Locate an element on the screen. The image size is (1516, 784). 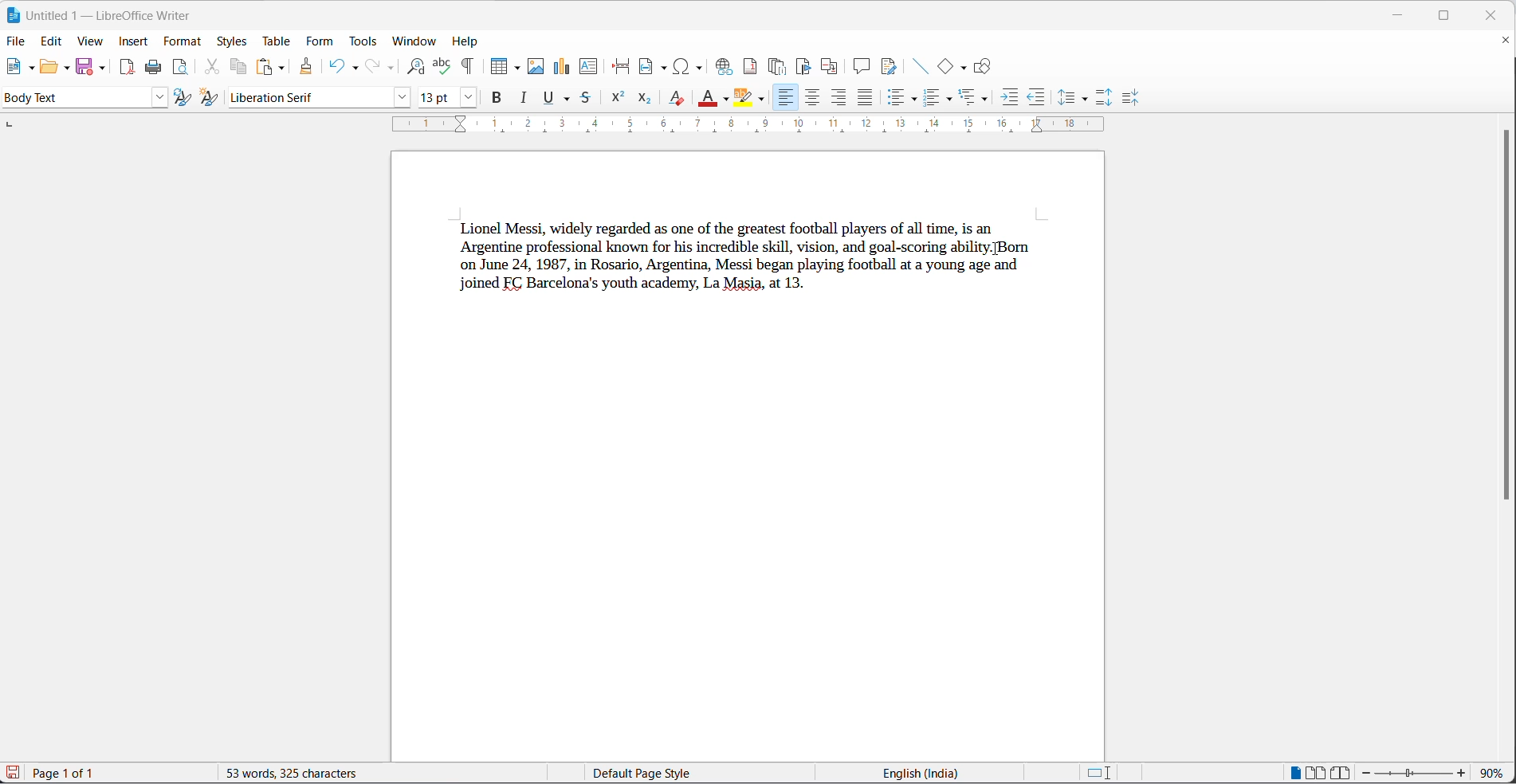
paste options is located at coordinates (279, 66).